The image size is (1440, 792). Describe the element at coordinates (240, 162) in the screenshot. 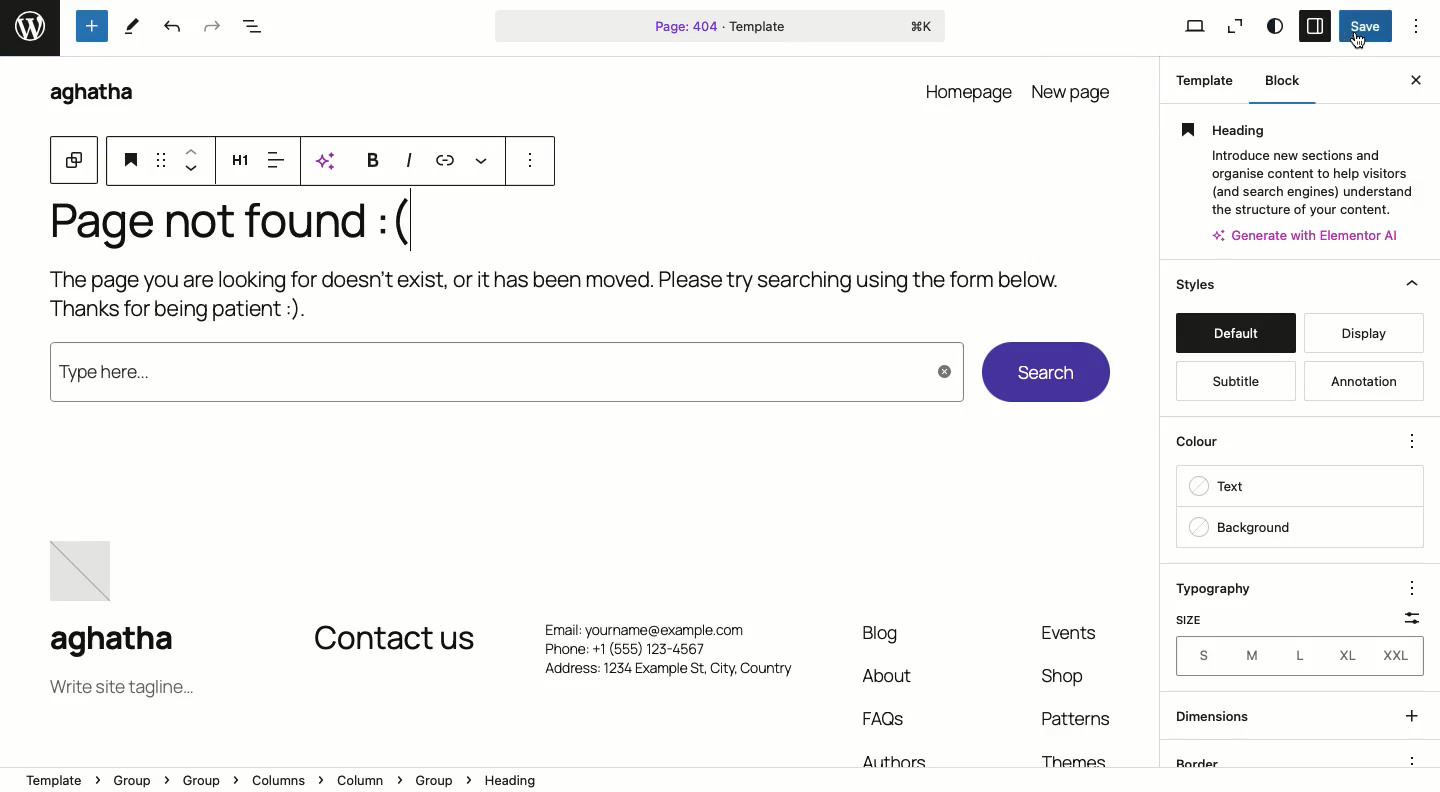

I see `Heading` at that location.